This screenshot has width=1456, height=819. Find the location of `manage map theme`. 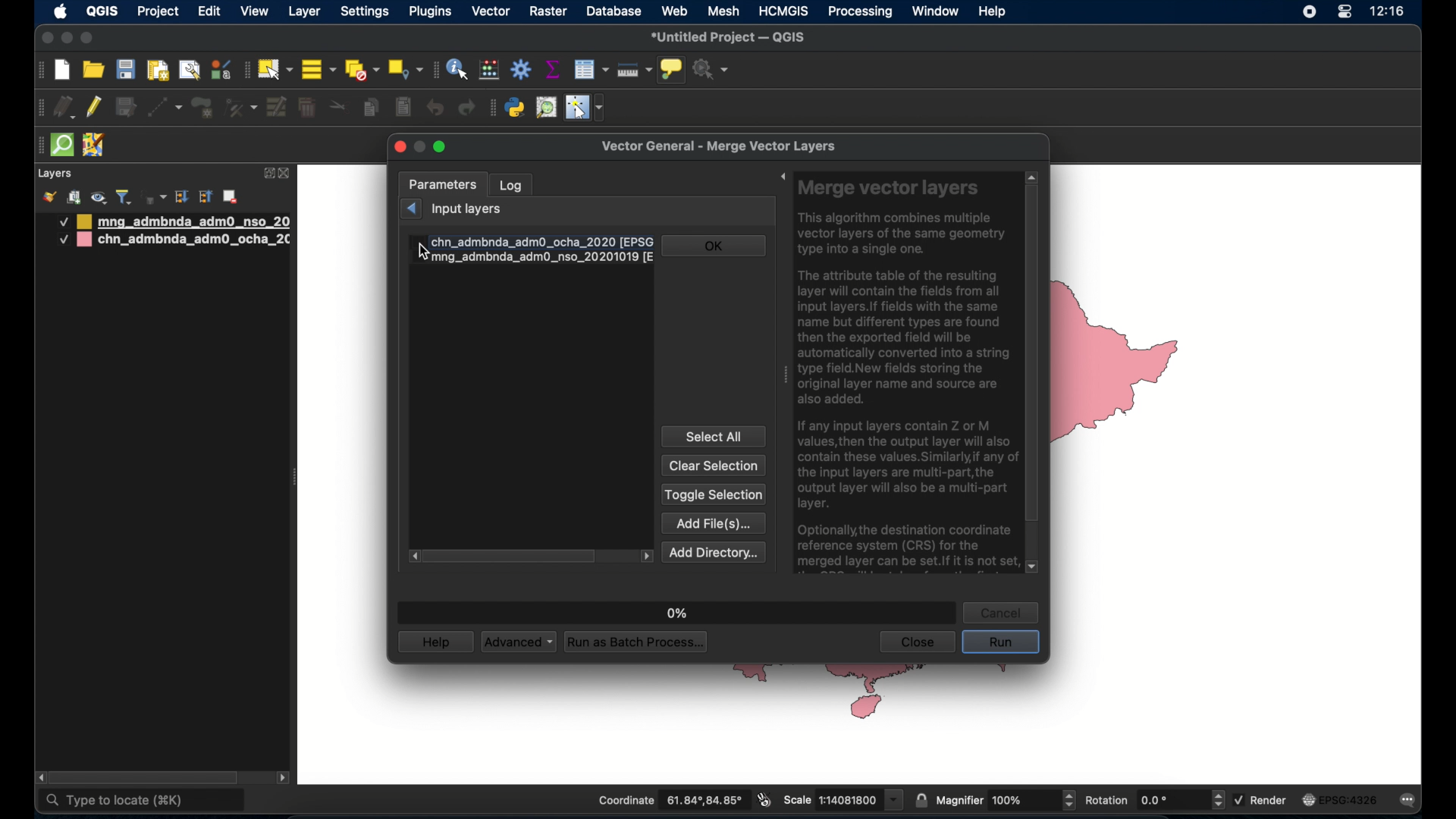

manage map theme is located at coordinates (98, 198).